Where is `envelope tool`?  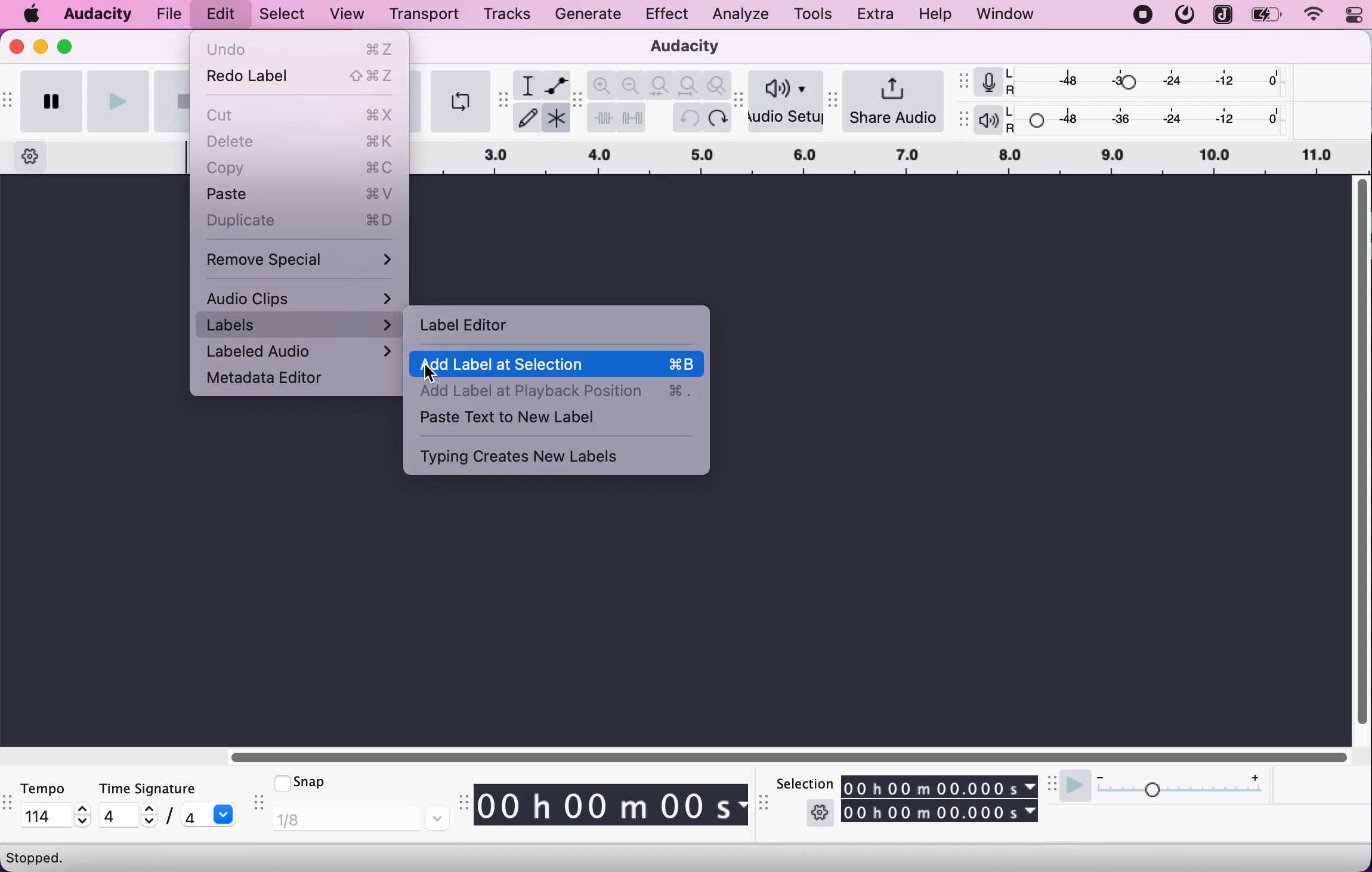
envelope tool is located at coordinates (555, 85).